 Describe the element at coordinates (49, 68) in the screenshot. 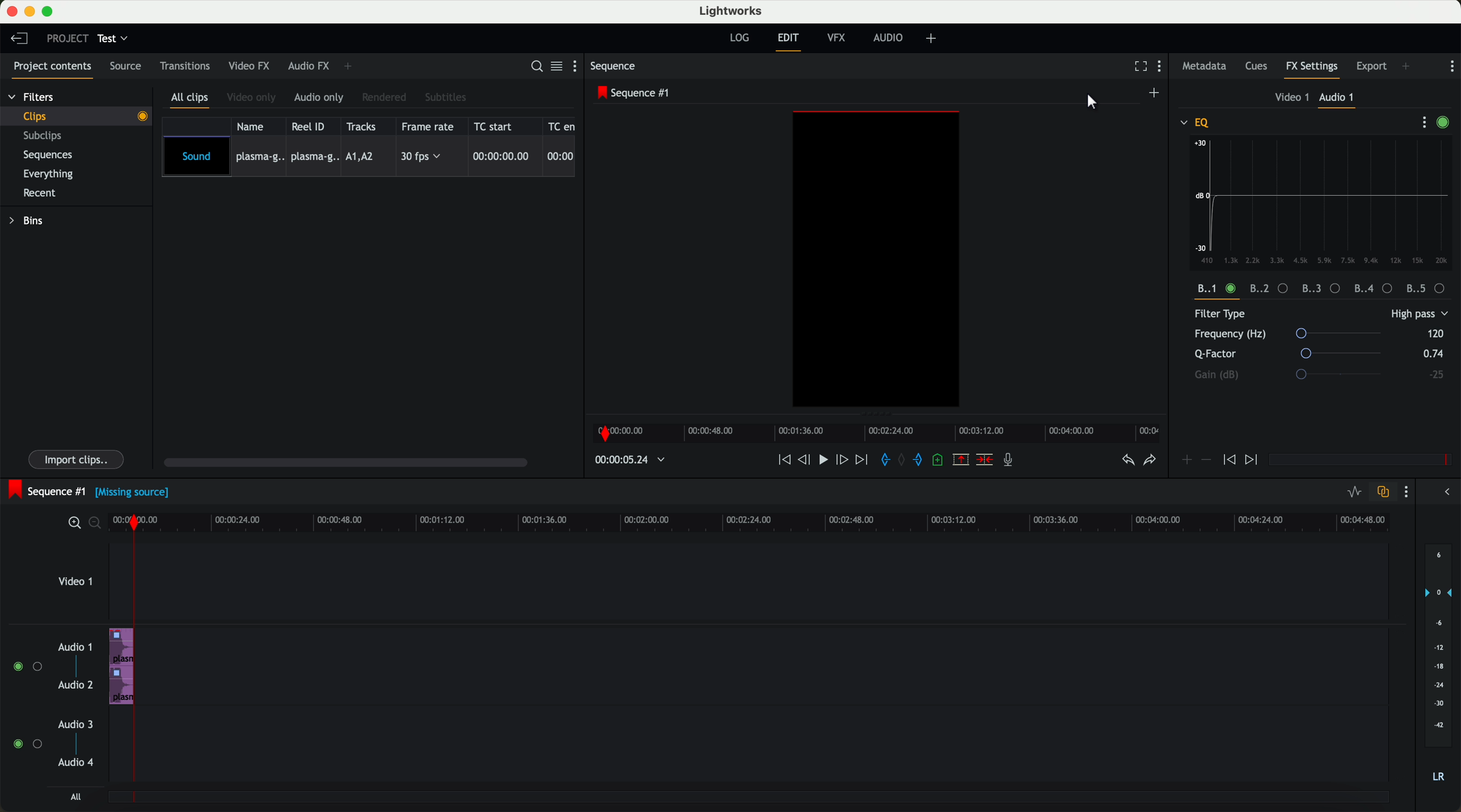

I see `project contents` at that location.